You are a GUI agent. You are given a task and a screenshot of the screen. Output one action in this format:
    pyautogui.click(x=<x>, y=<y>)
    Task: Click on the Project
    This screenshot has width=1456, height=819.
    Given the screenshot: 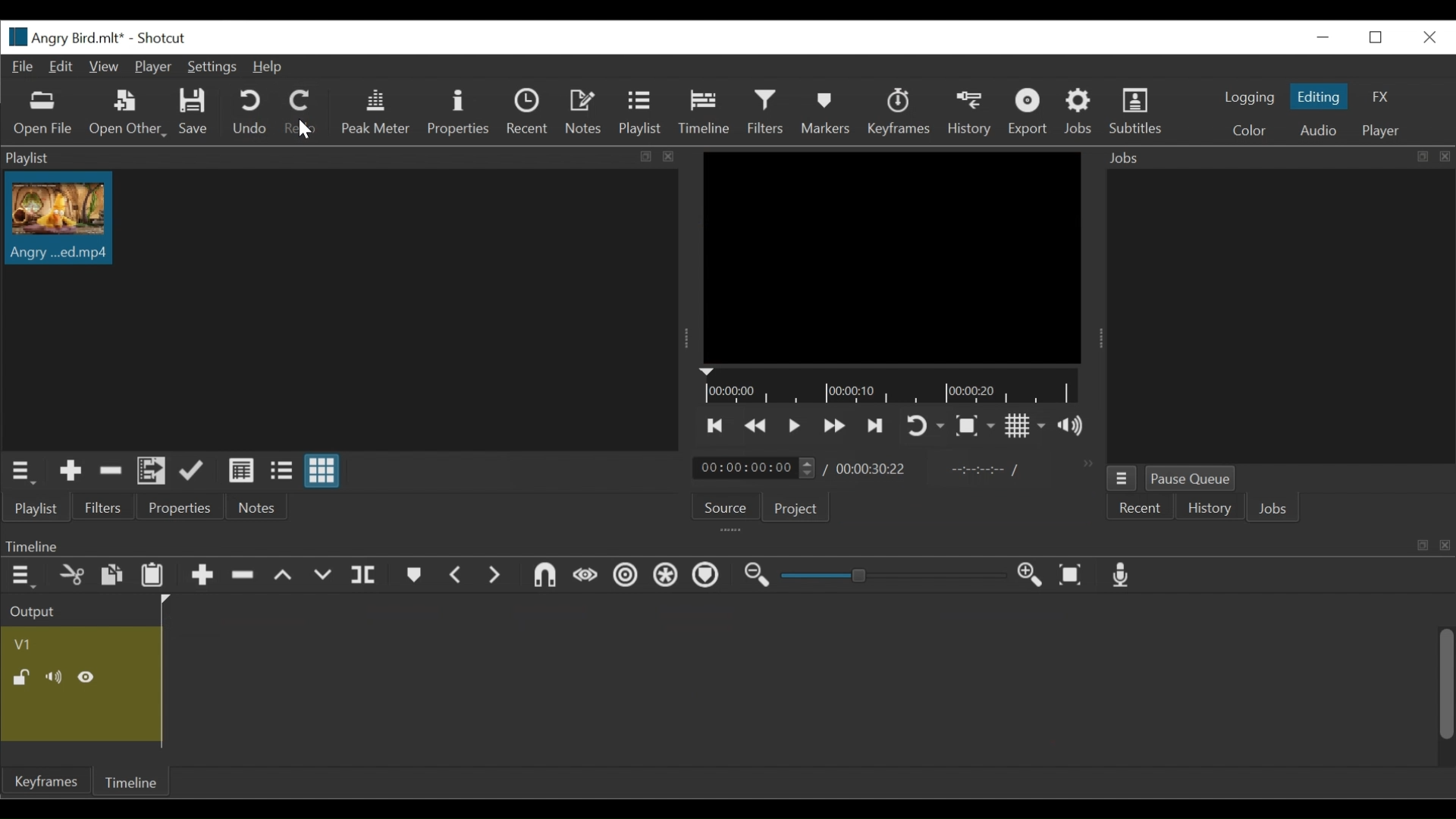 What is the action you would take?
    pyautogui.click(x=792, y=507)
    